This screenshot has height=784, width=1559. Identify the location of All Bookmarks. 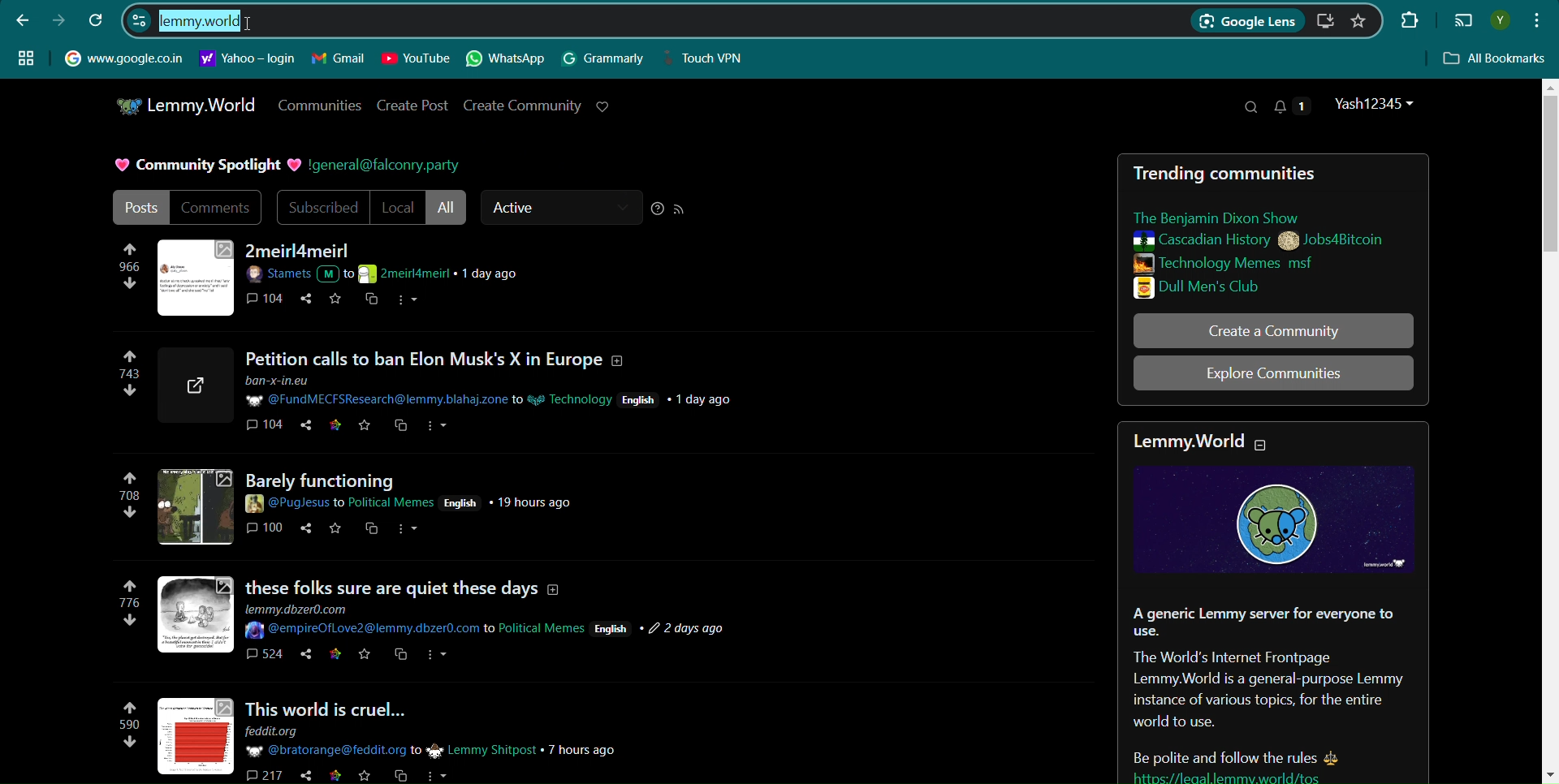
(1496, 59).